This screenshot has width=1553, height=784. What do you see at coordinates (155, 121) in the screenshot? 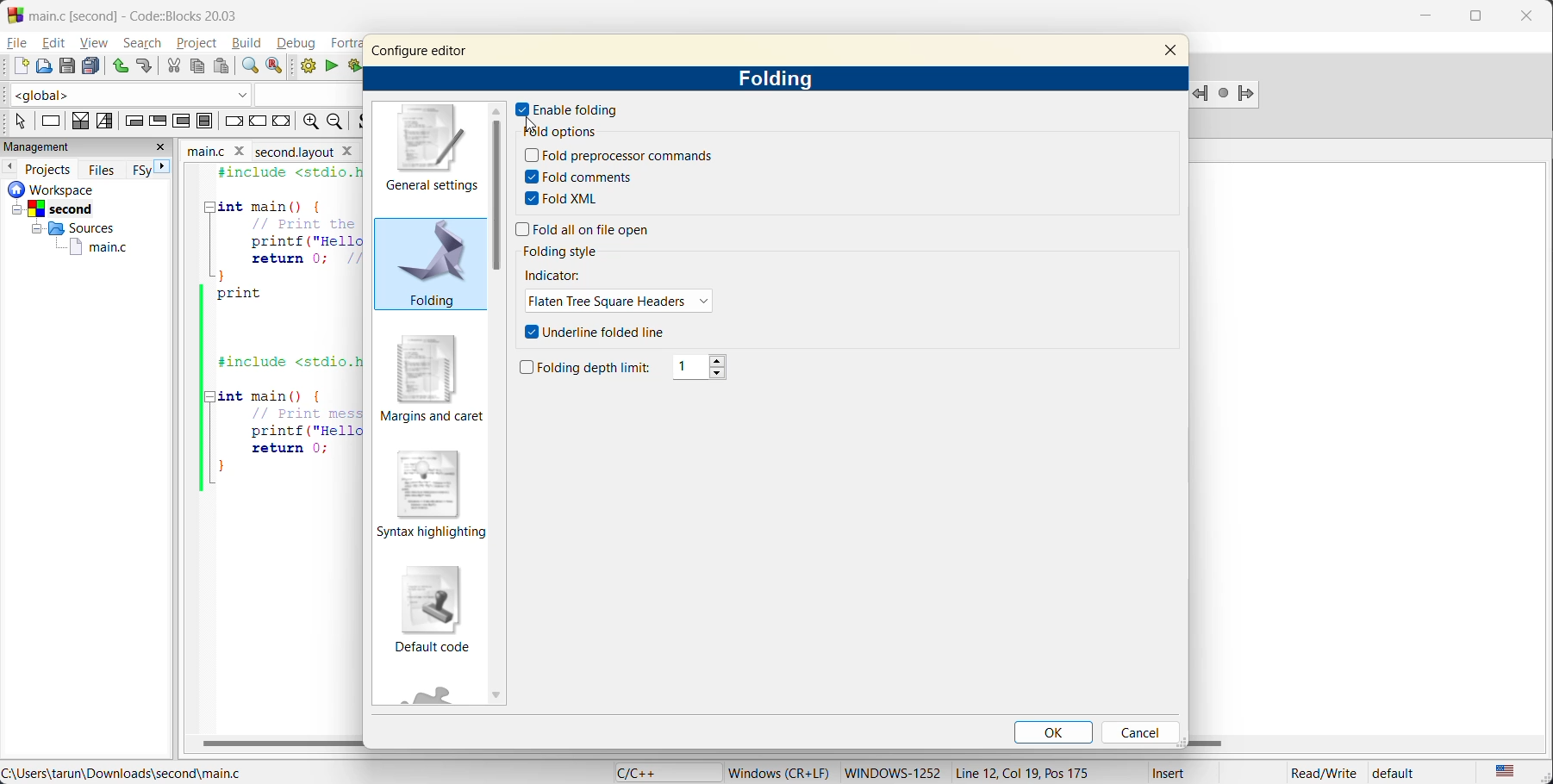
I see `exit condition loop` at bounding box center [155, 121].